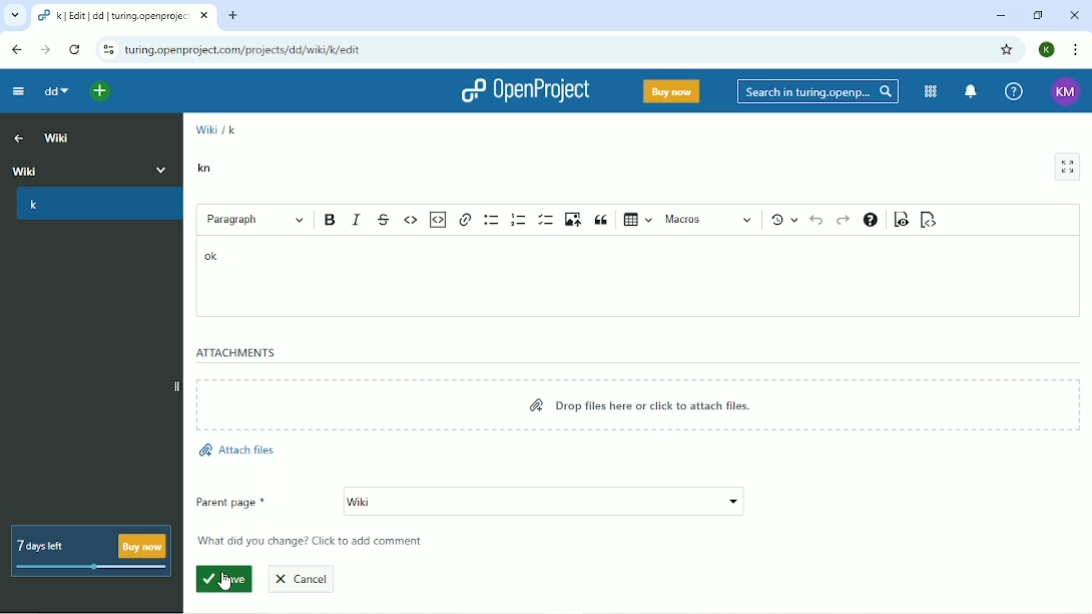 Image resolution: width=1092 pixels, height=614 pixels. I want to click on k, so click(34, 206).